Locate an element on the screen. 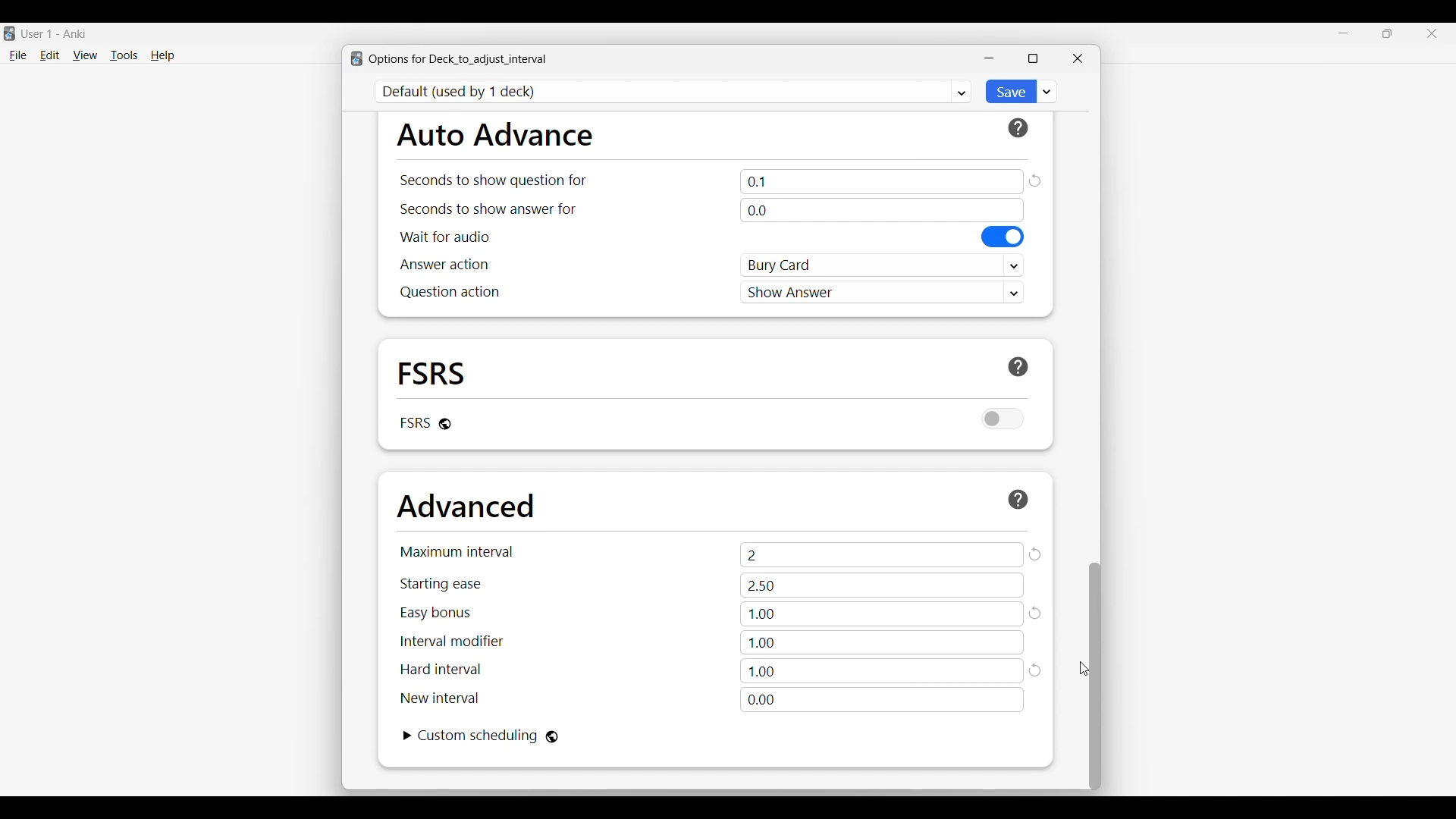  Cursor position unchanged after dragging vertical slide bar is located at coordinates (1084, 669).